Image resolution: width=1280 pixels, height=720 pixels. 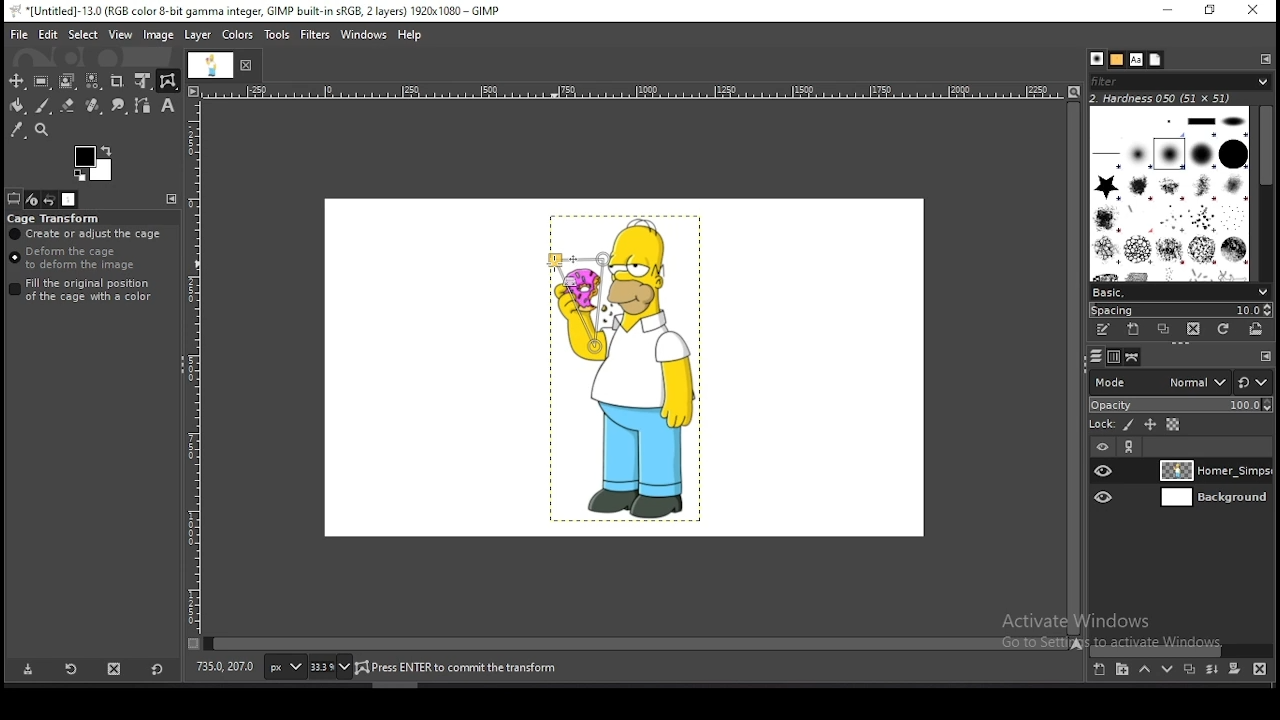 What do you see at coordinates (31, 199) in the screenshot?
I see `device status` at bounding box center [31, 199].